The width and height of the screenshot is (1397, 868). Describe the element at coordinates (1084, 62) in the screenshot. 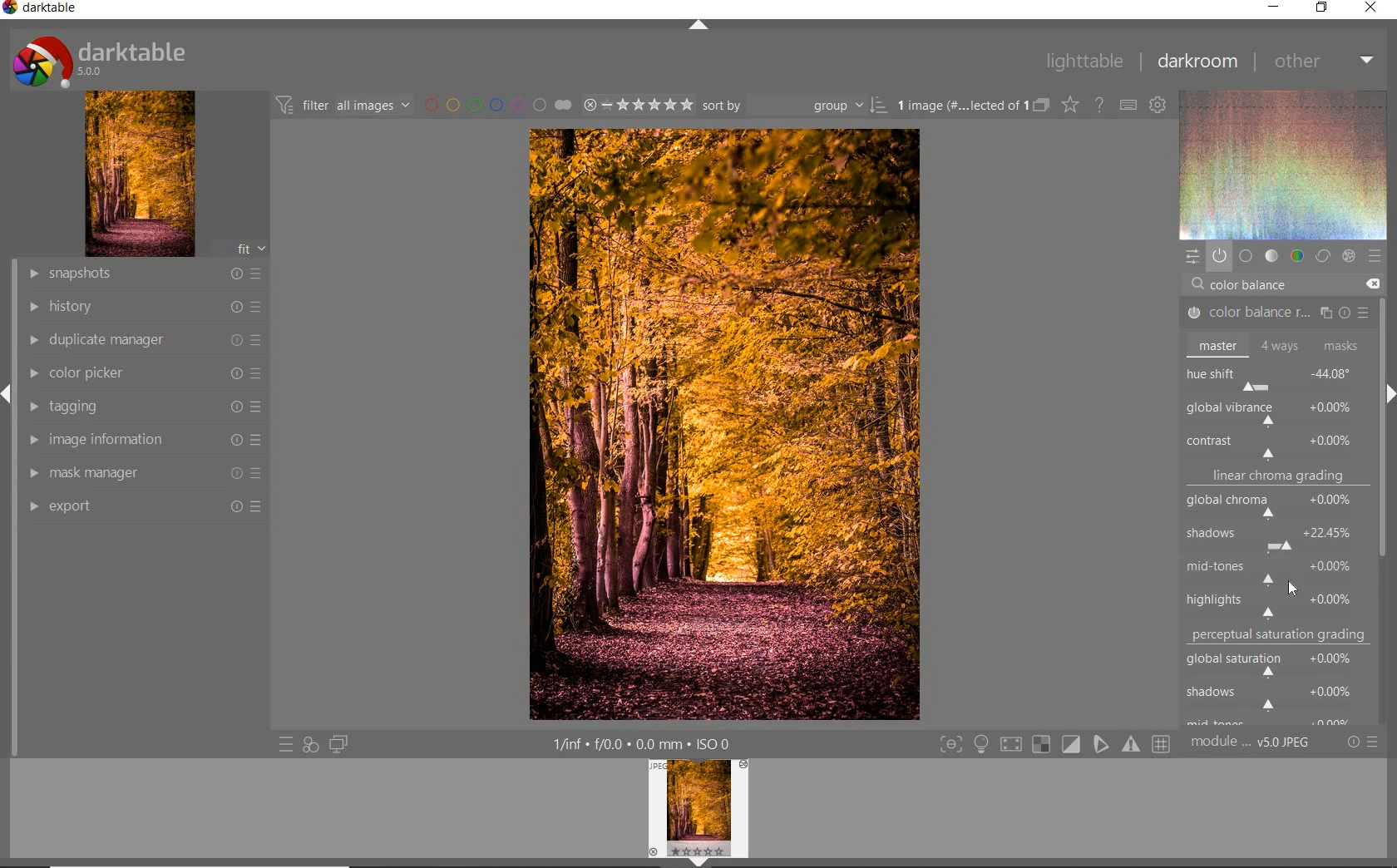

I see `lighttable` at that location.